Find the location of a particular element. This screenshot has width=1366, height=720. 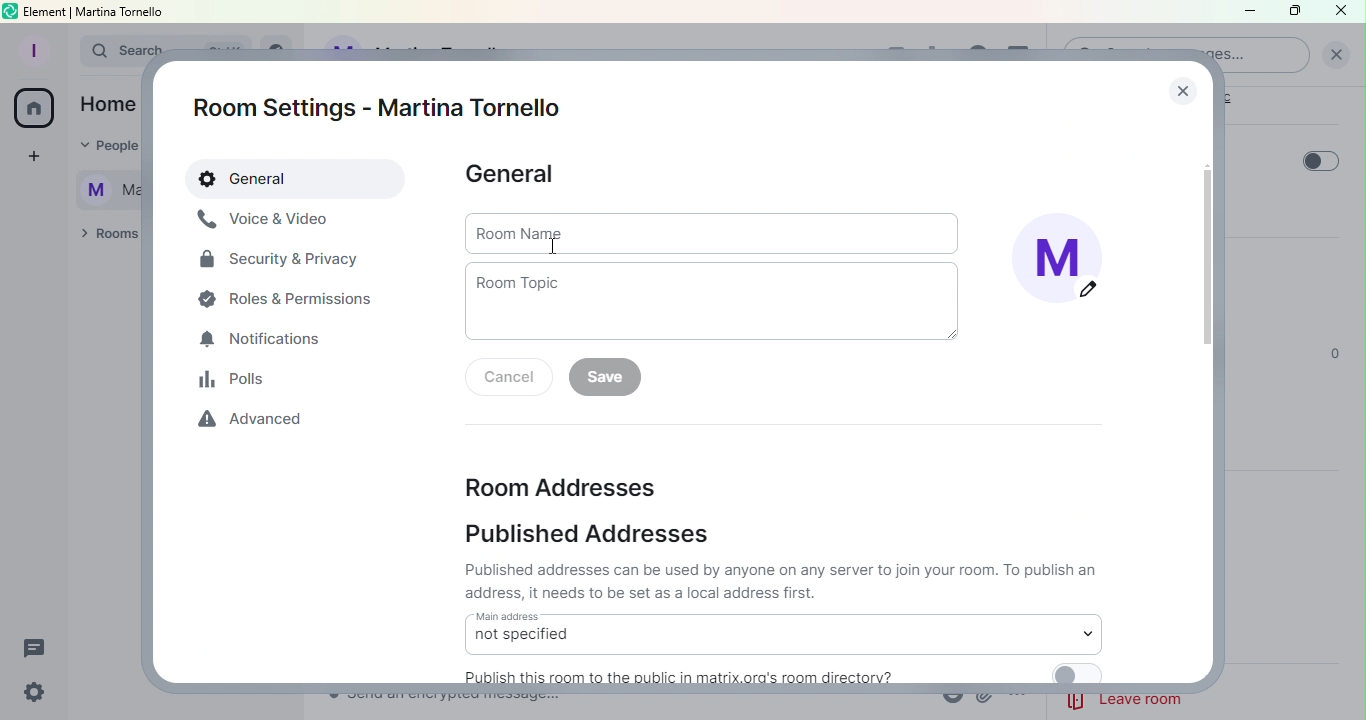

Create a space is located at coordinates (31, 159).